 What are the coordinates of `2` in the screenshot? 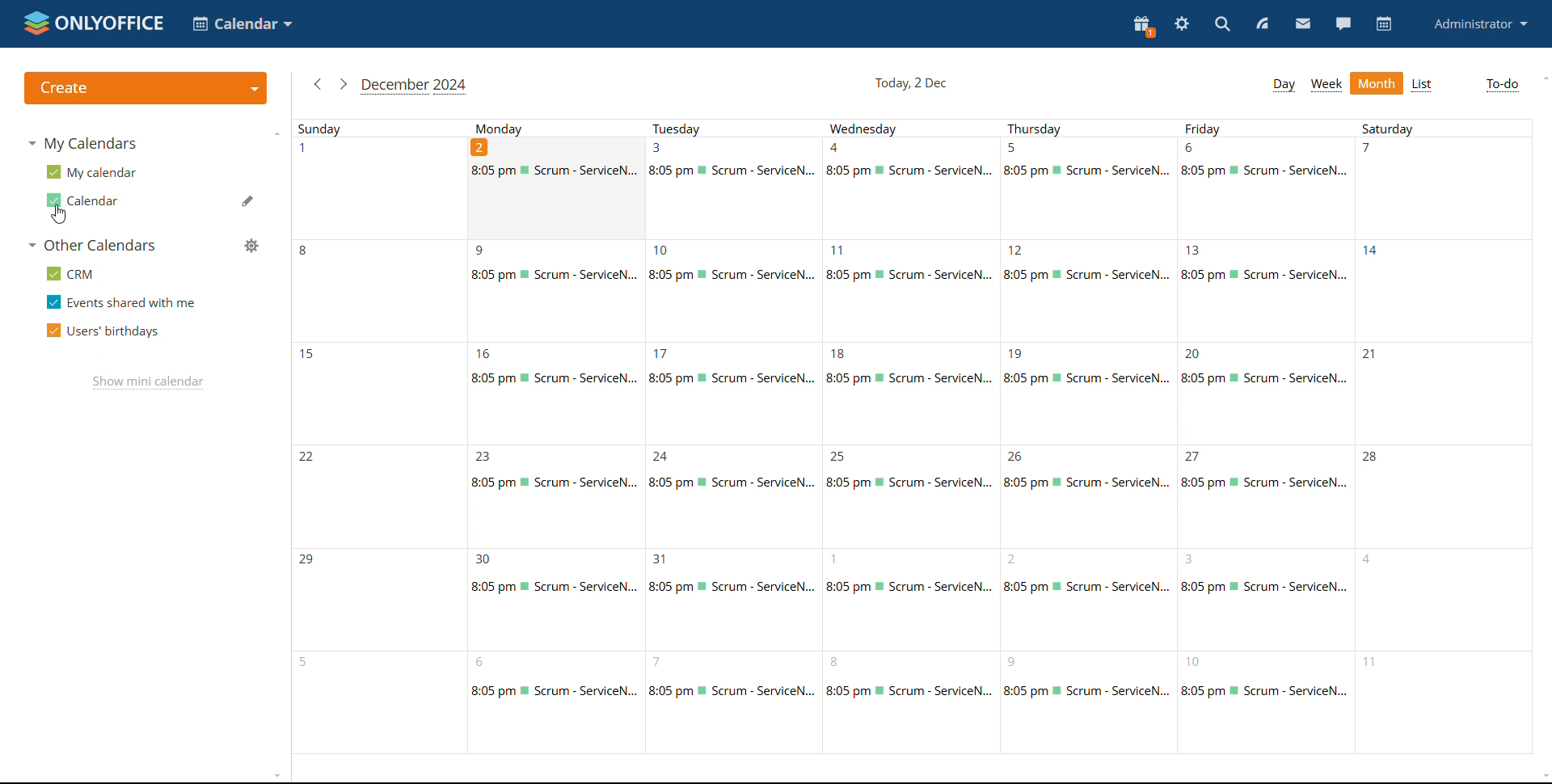 It's located at (560, 189).